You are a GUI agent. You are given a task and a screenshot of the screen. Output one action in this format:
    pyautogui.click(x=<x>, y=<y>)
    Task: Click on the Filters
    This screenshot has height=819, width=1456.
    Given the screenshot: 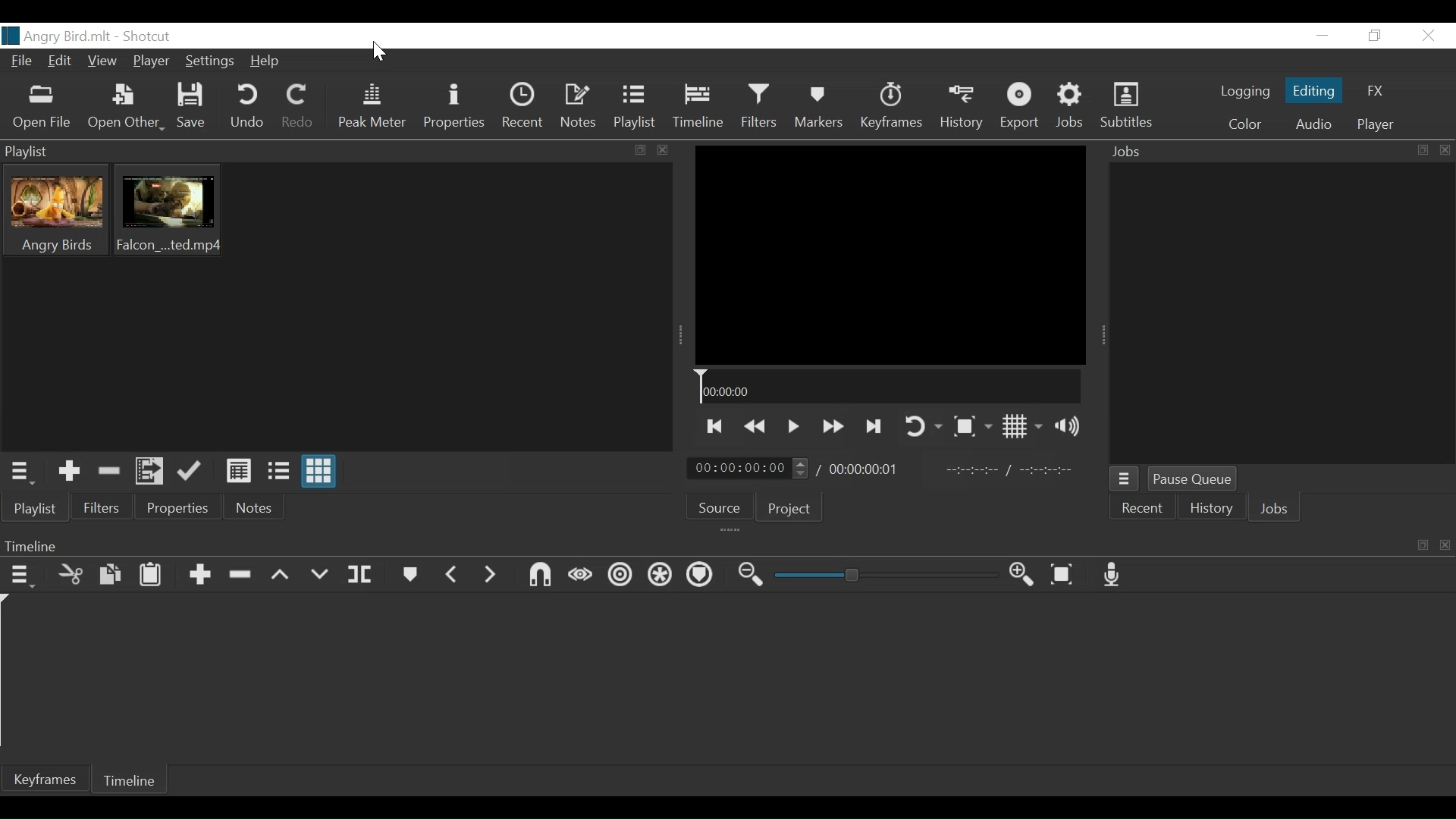 What is the action you would take?
    pyautogui.click(x=761, y=108)
    